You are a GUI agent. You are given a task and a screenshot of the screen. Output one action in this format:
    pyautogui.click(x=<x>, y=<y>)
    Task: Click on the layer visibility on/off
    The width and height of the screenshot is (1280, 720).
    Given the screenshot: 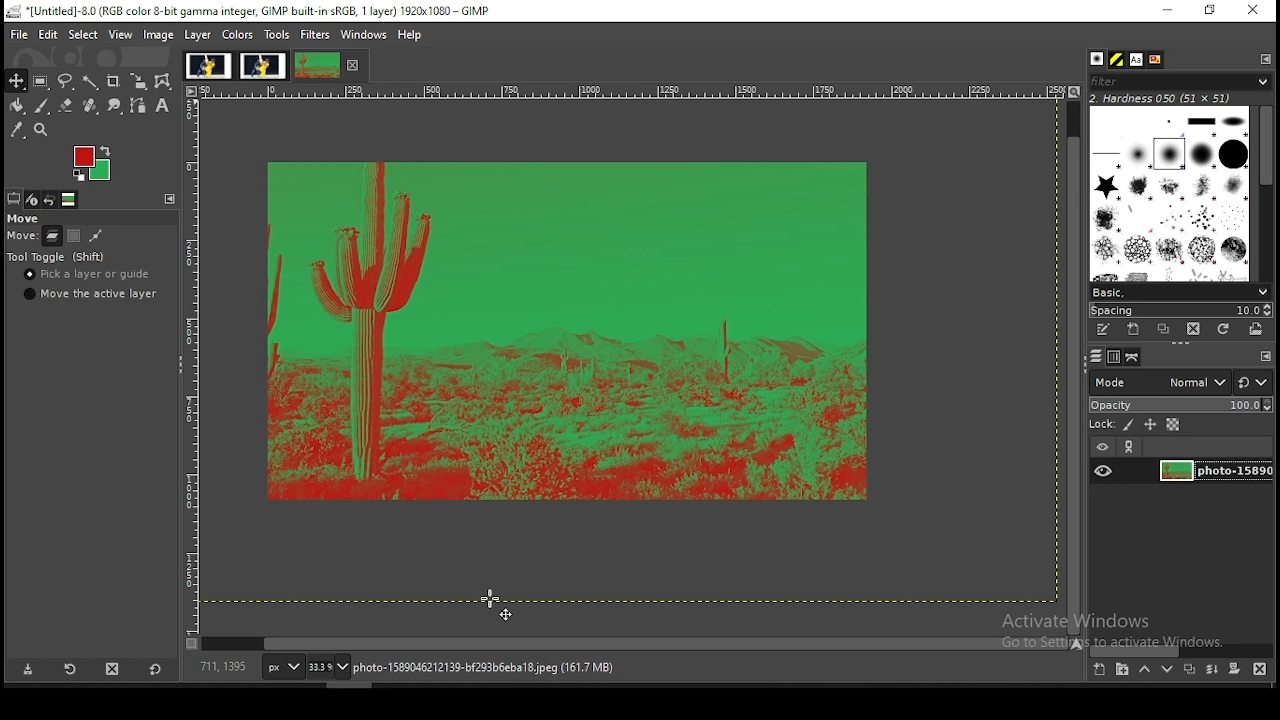 What is the action you would take?
    pyautogui.click(x=1103, y=472)
    